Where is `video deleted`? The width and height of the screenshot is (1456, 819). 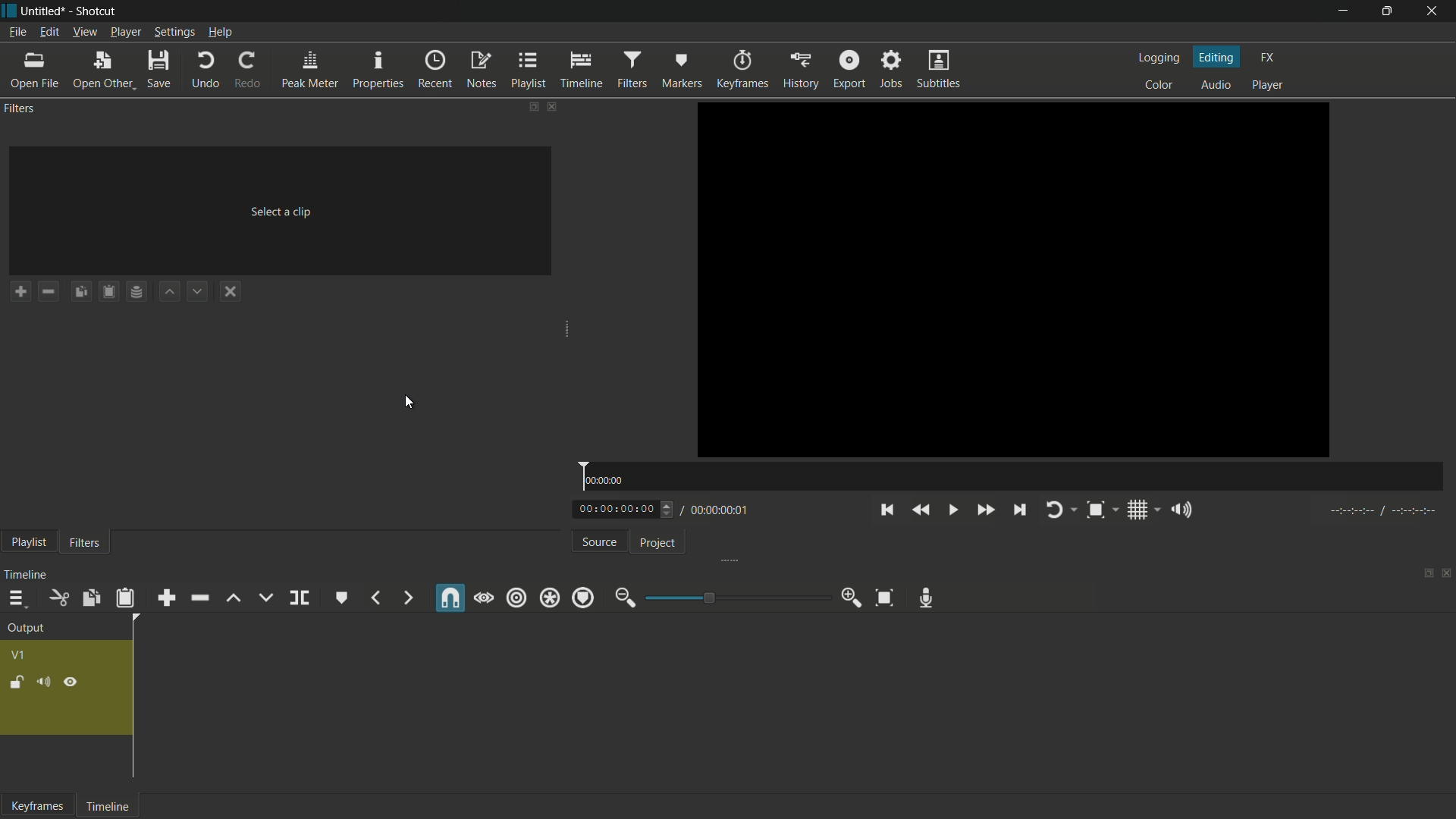
video deleted is located at coordinates (1013, 278).